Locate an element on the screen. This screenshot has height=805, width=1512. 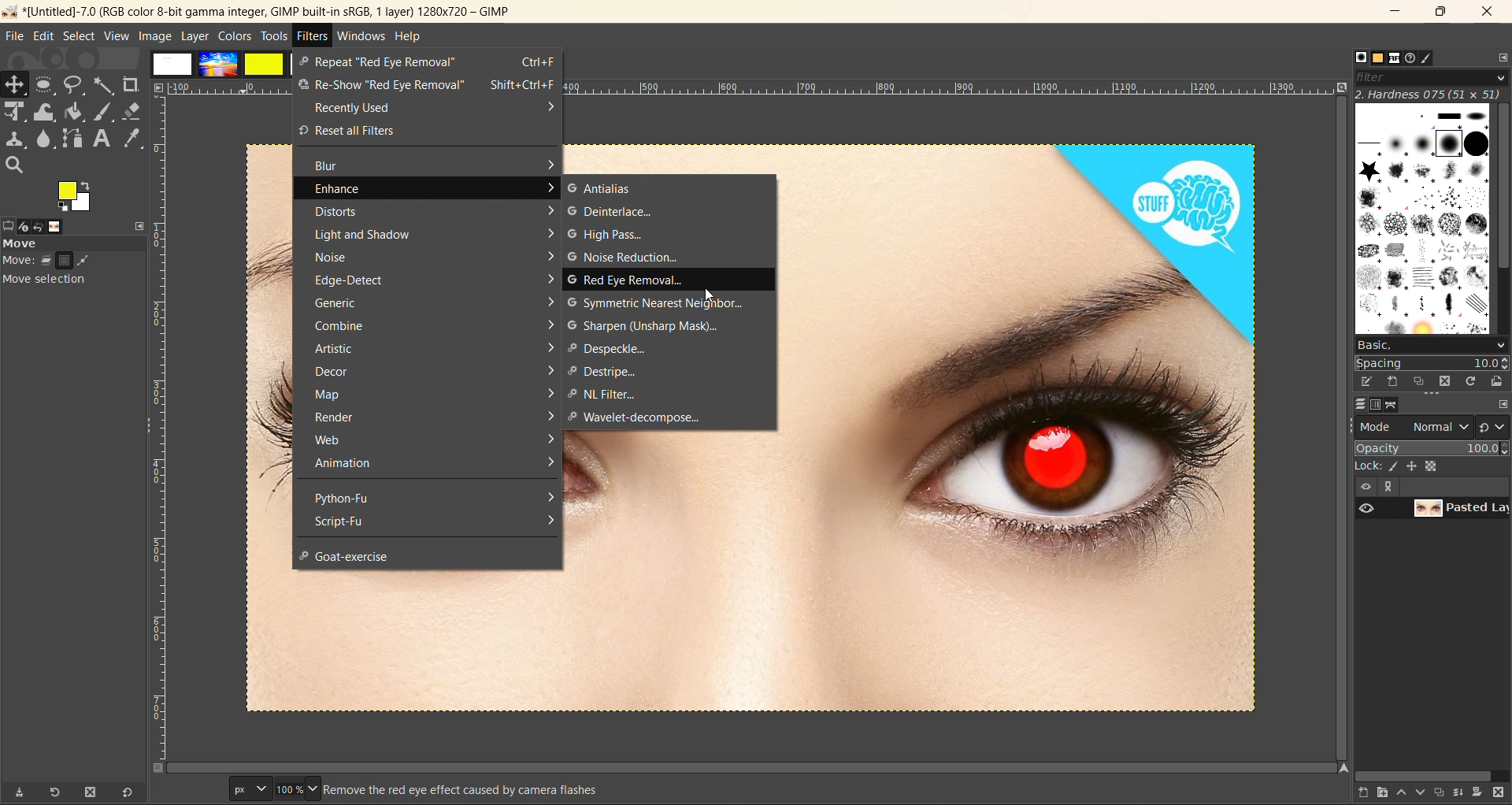
metadata is located at coordinates (380, 789).